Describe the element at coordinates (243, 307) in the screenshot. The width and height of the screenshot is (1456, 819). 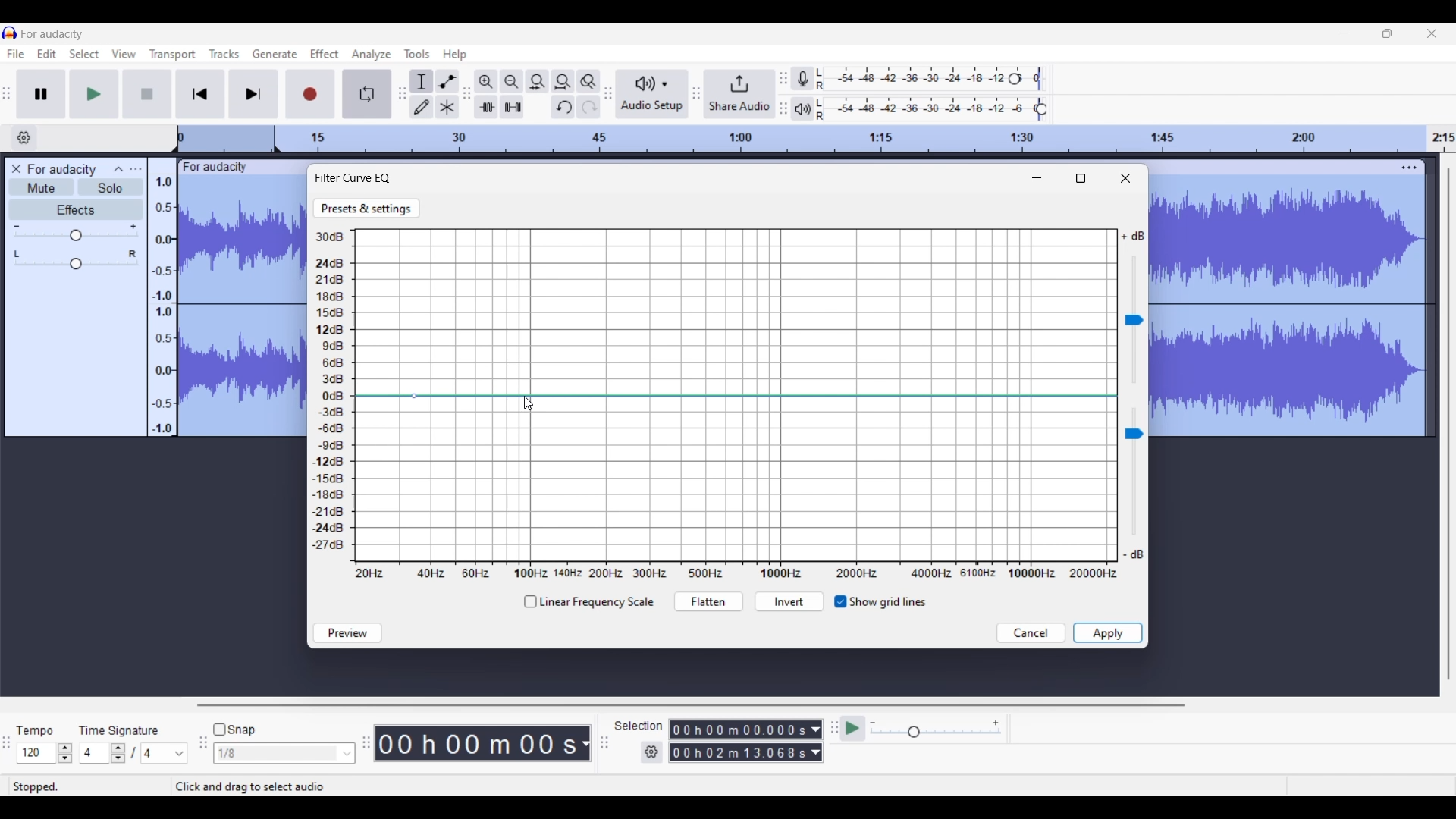
I see `Track selected` at that location.